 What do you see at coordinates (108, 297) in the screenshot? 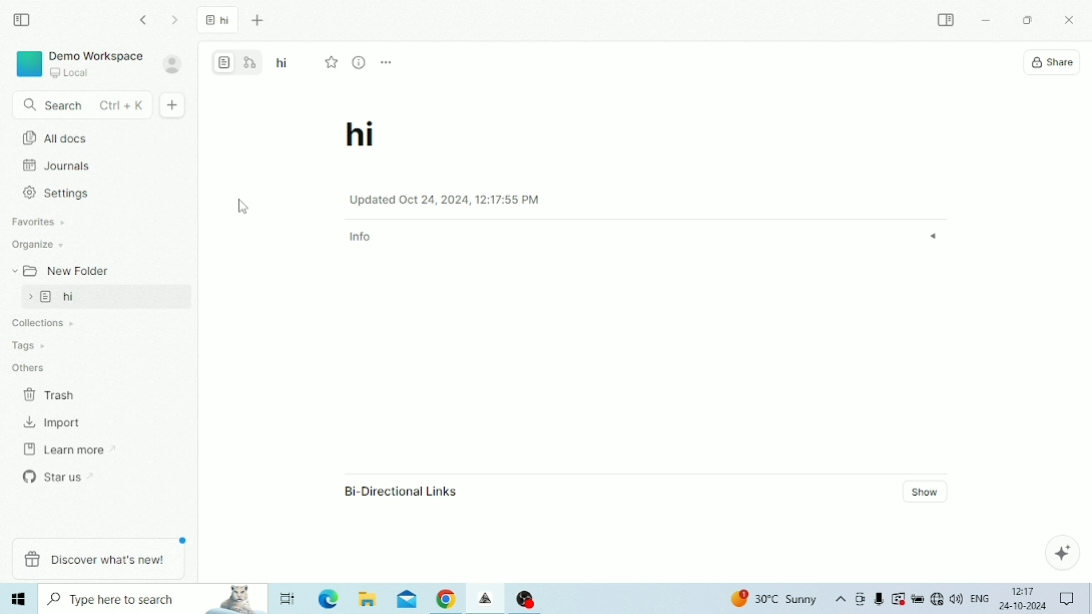
I see `hi` at bounding box center [108, 297].